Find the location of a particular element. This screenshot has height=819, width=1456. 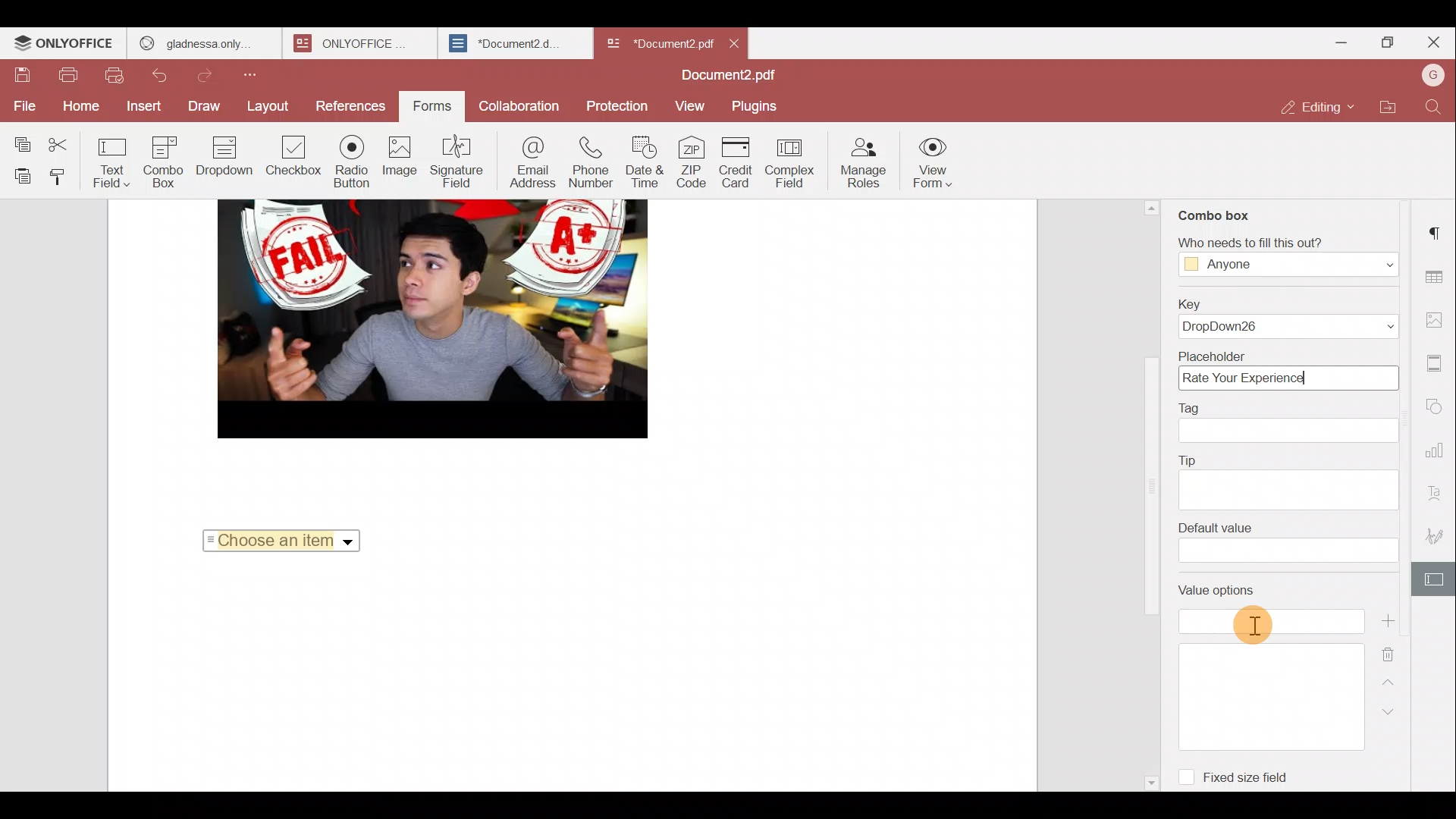

Editing mode is located at coordinates (1316, 108).